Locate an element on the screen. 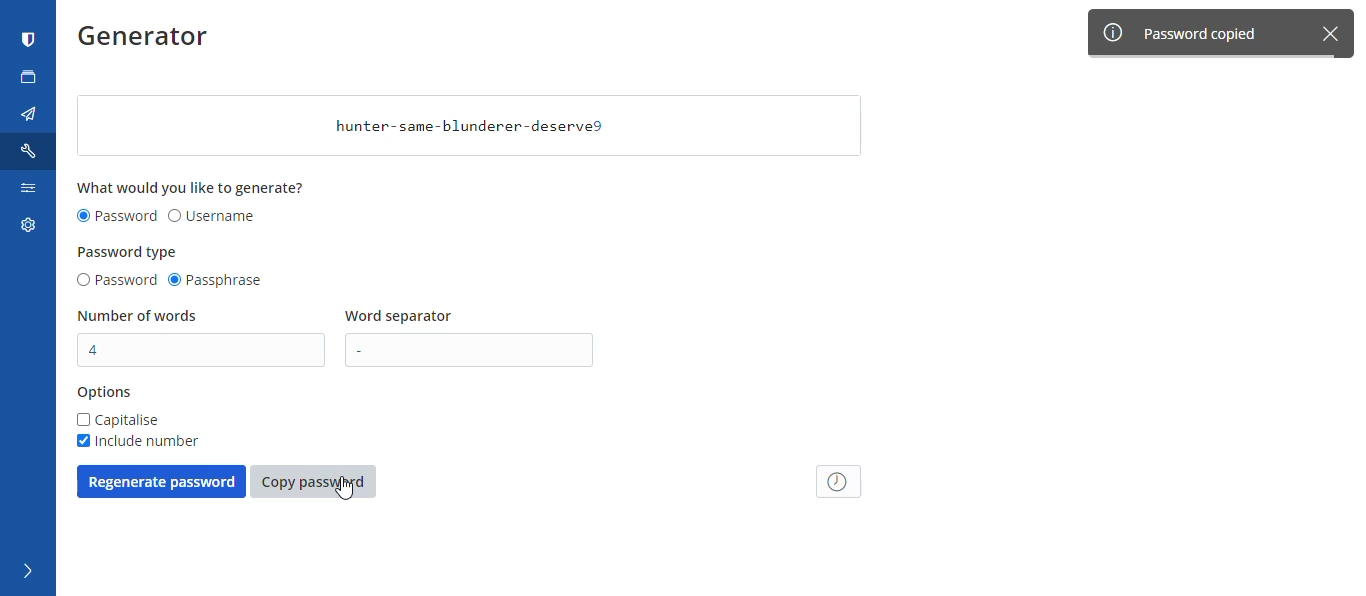  word separator is located at coordinates (402, 317).